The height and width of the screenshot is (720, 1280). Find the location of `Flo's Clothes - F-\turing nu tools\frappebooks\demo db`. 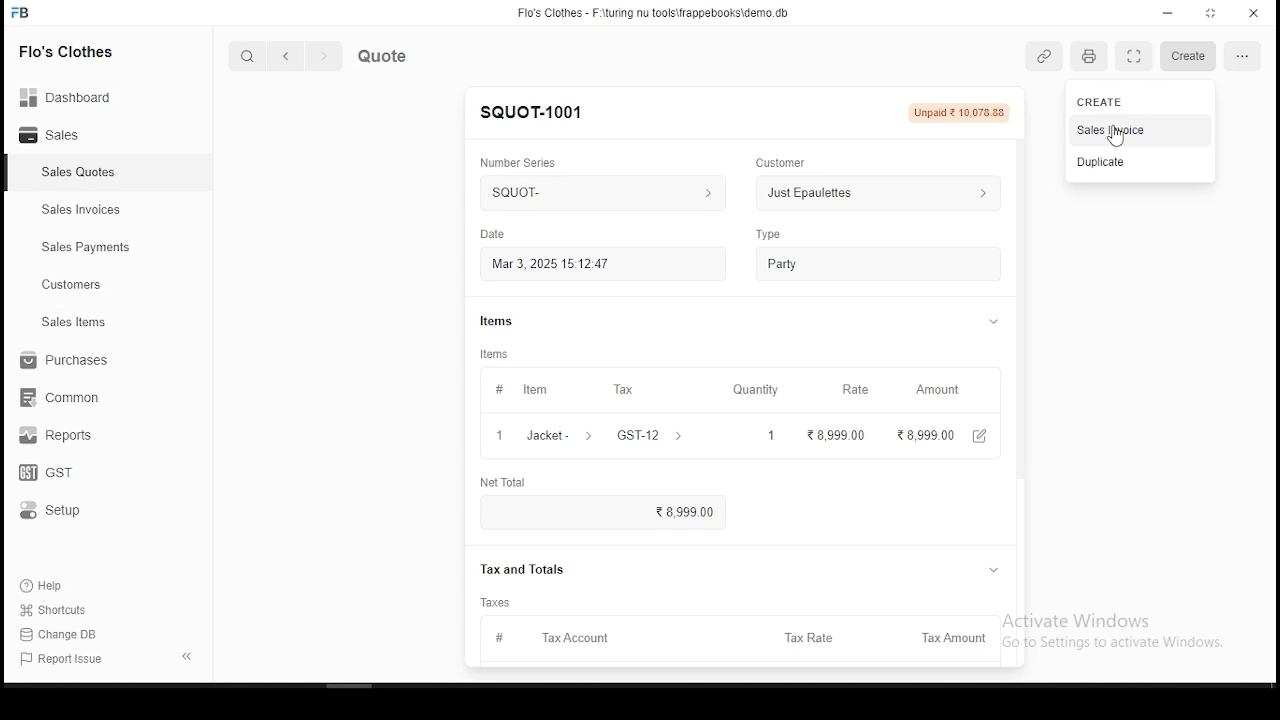

Flo's Clothes - F-\turing nu tools\frappebooks\demo db is located at coordinates (655, 12).